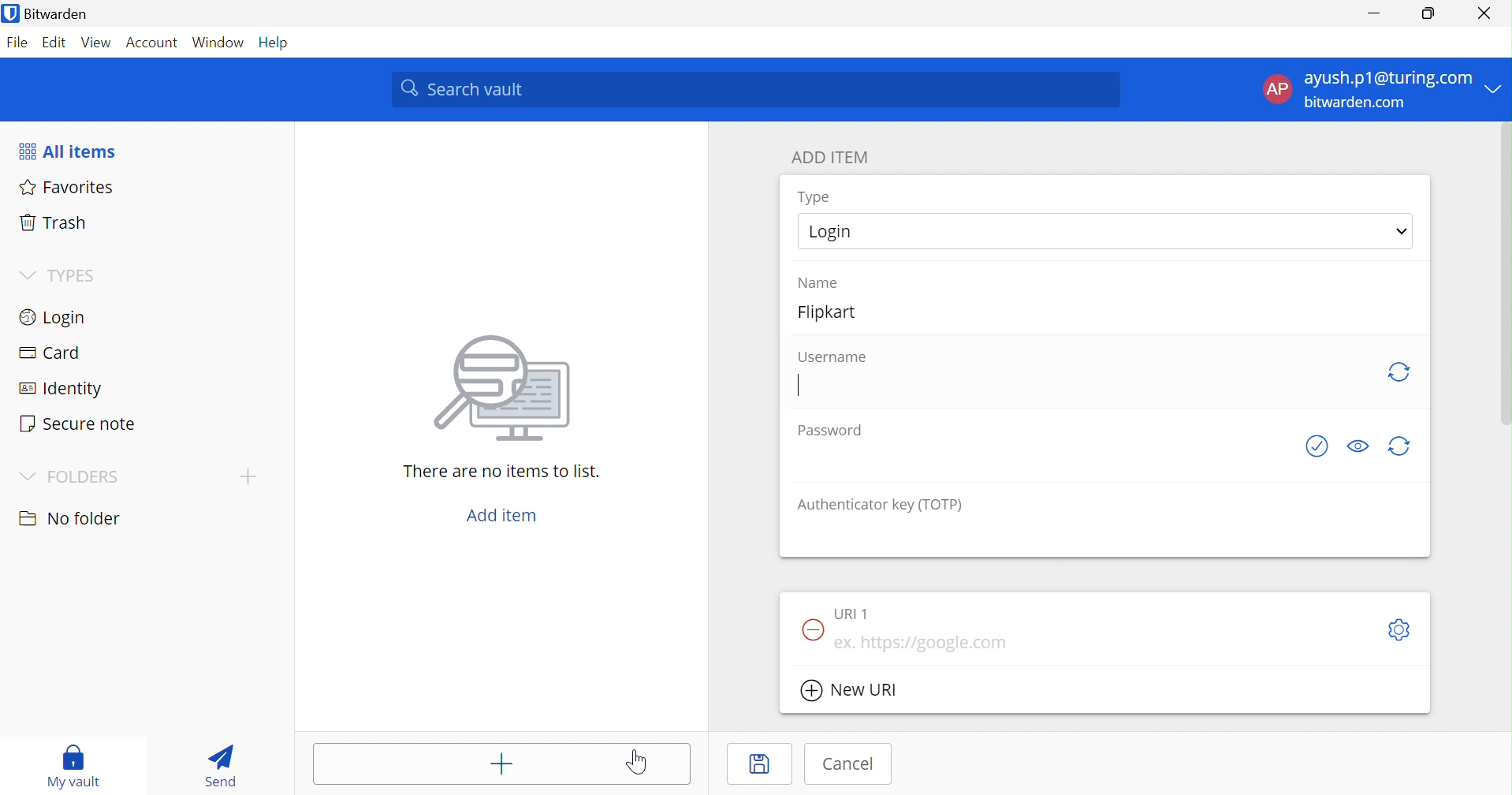 This screenshot has width=1512, height=795. I want to click on Help, so click(278, 43).